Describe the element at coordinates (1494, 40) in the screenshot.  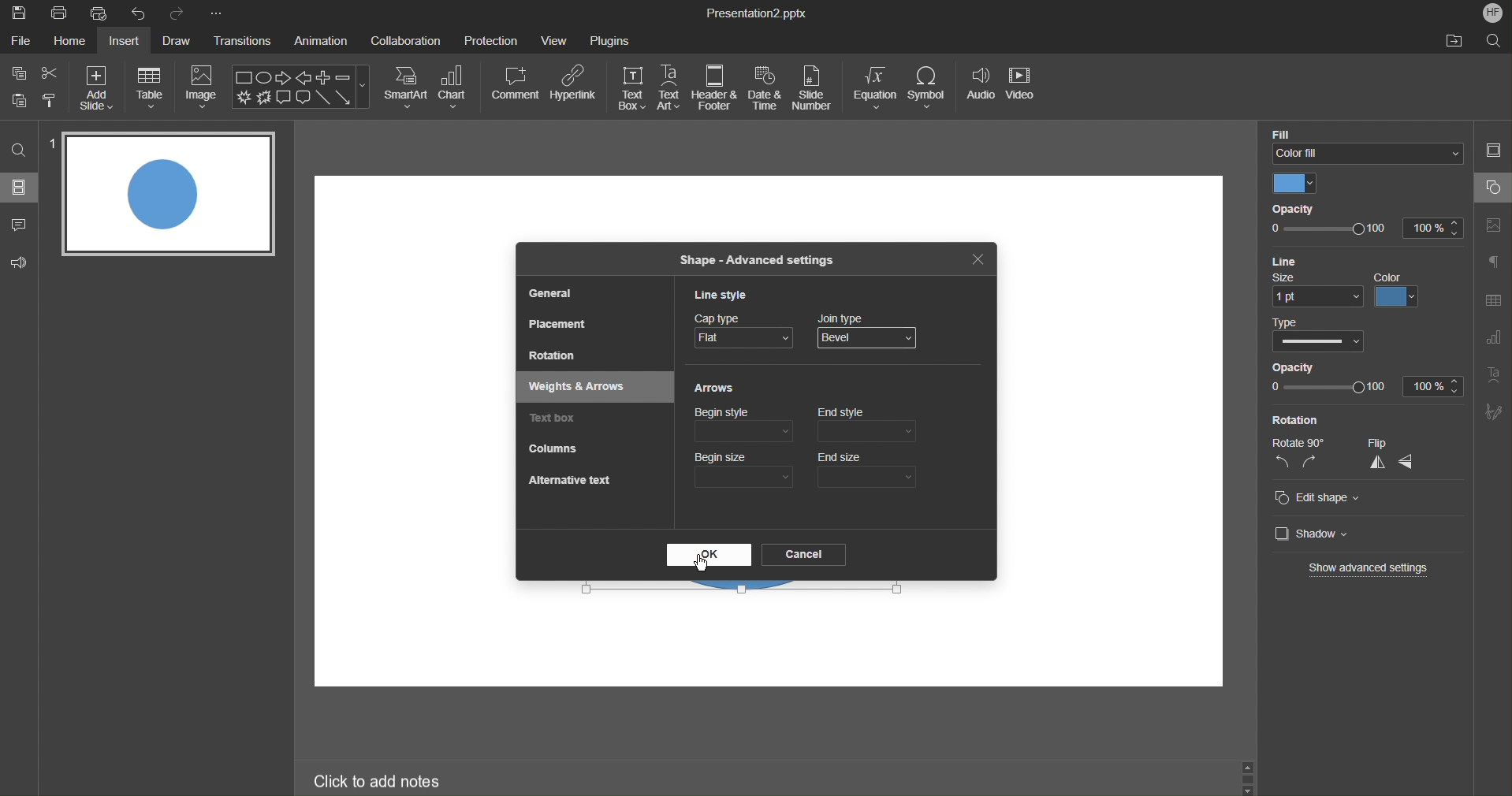
I see `Search` at that location.